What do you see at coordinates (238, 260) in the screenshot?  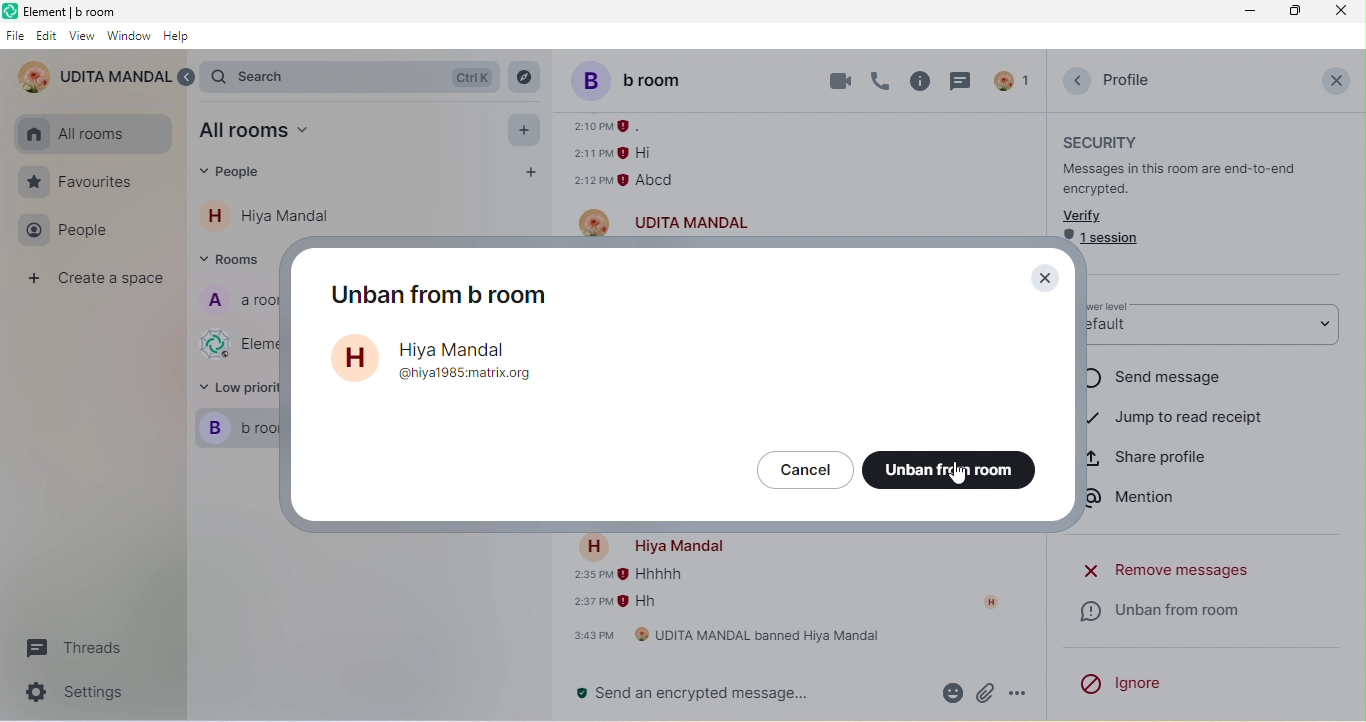 I see `rooms` at bounding box center [238, 260].